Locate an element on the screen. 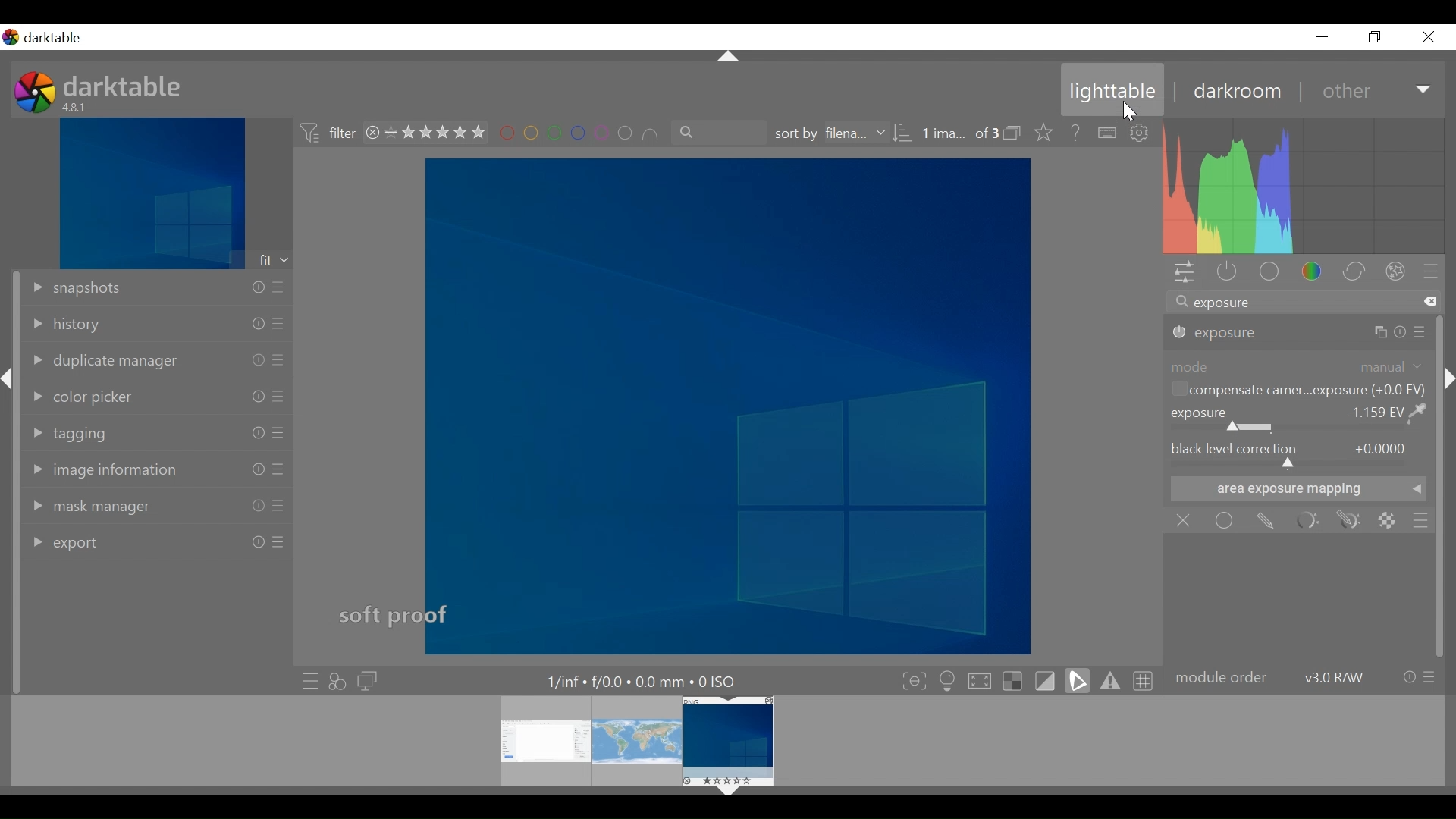 The width and height of the screenshot is (1456, 819). close is located at coordinates (1427, 37).